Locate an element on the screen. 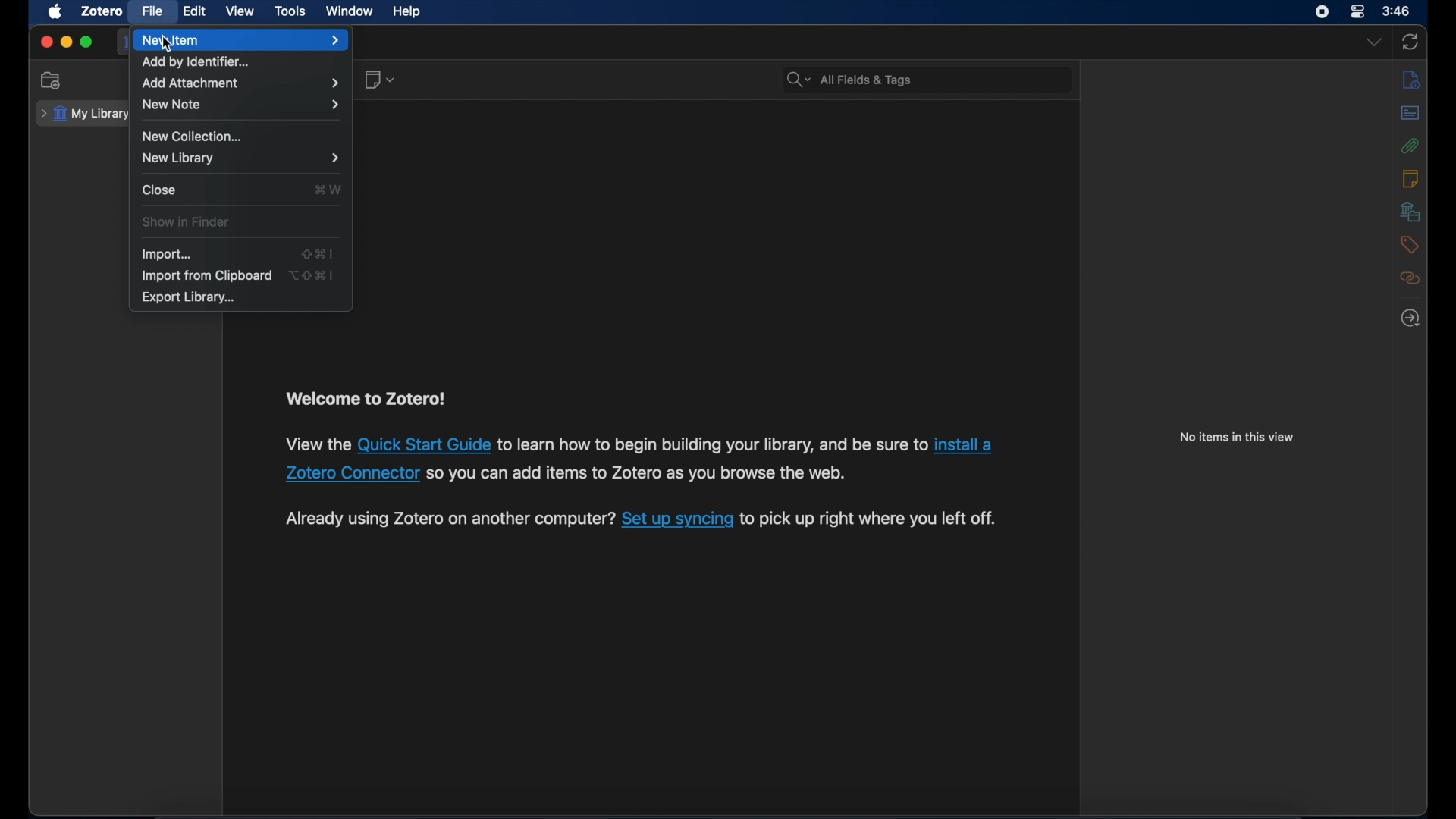  new note is located at coordinates (379, 80).